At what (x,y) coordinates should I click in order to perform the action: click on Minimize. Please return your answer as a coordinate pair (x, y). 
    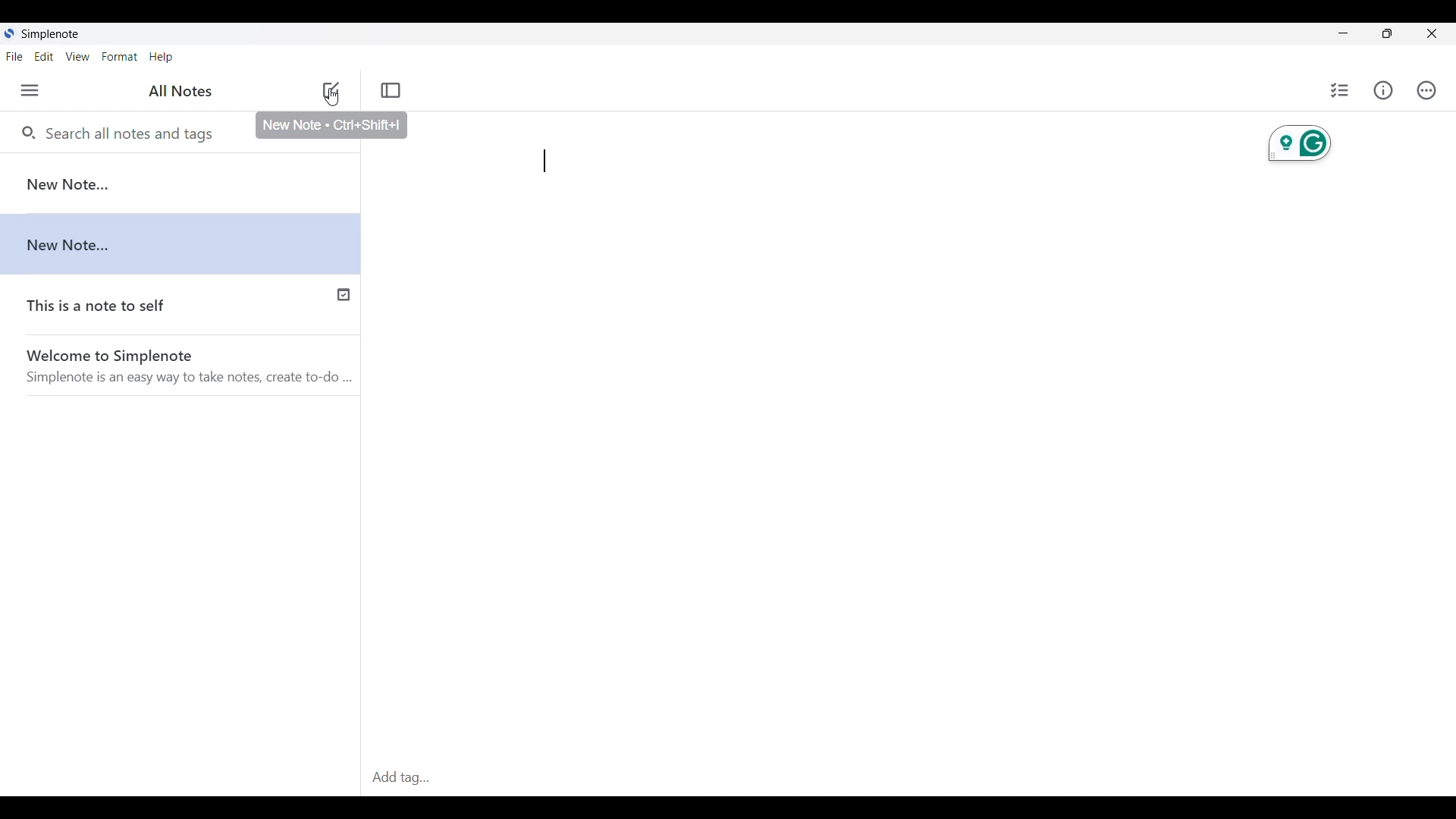
    Looking at the image, I should click on (1431, 33).